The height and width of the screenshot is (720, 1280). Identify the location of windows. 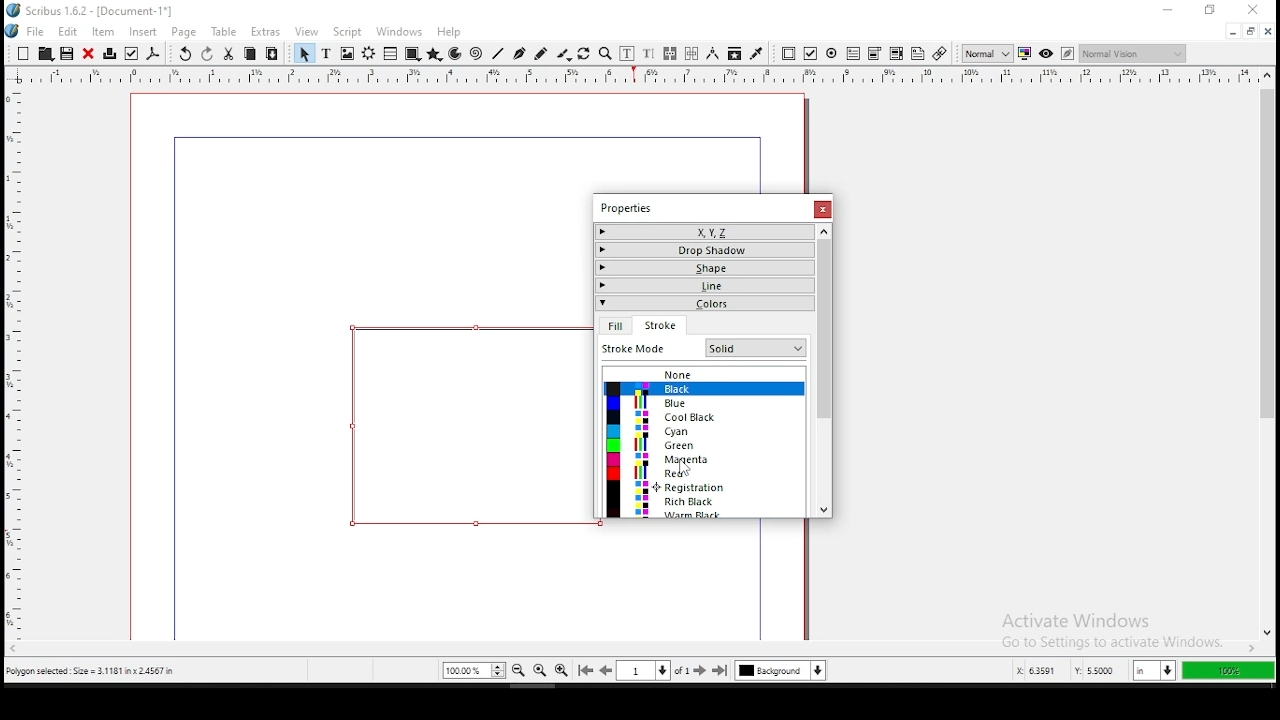
(399, 32).